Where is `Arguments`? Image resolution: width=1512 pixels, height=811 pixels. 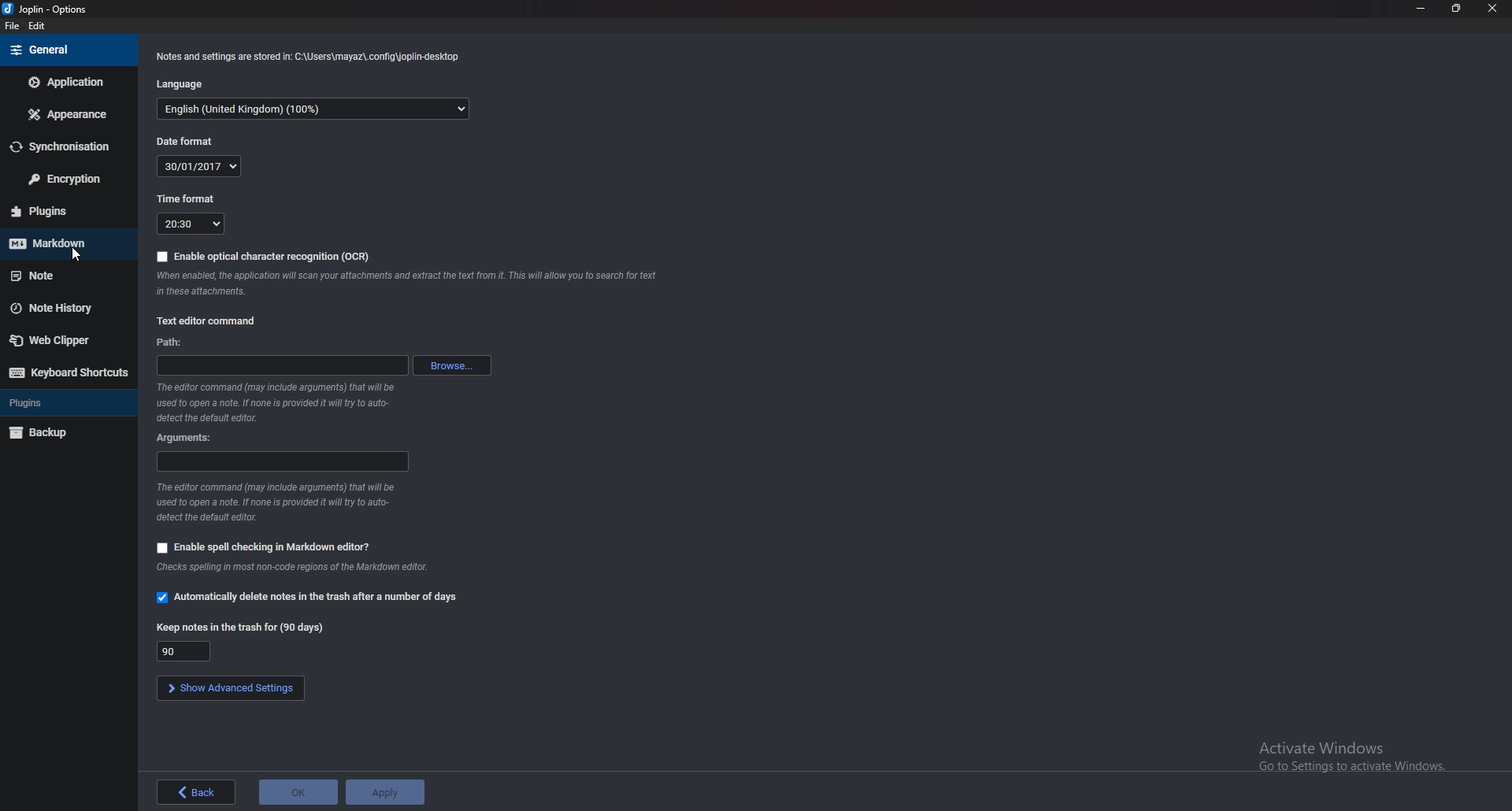
Arguments is located at coordinates (189, 438).